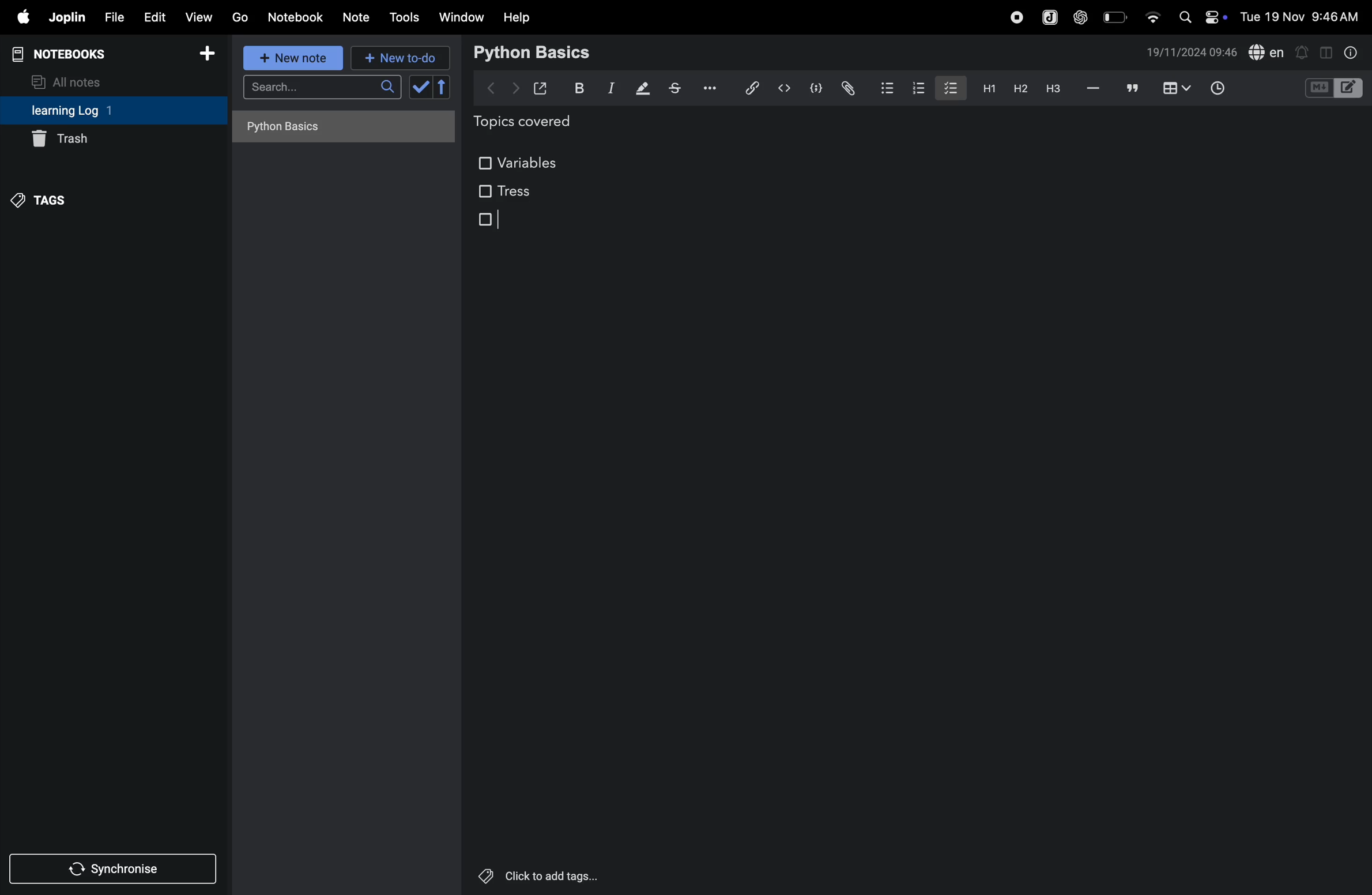  What do you see at coordinates (208, 57) in the screenshot?
I see `add` at bounding box center [208, 57].